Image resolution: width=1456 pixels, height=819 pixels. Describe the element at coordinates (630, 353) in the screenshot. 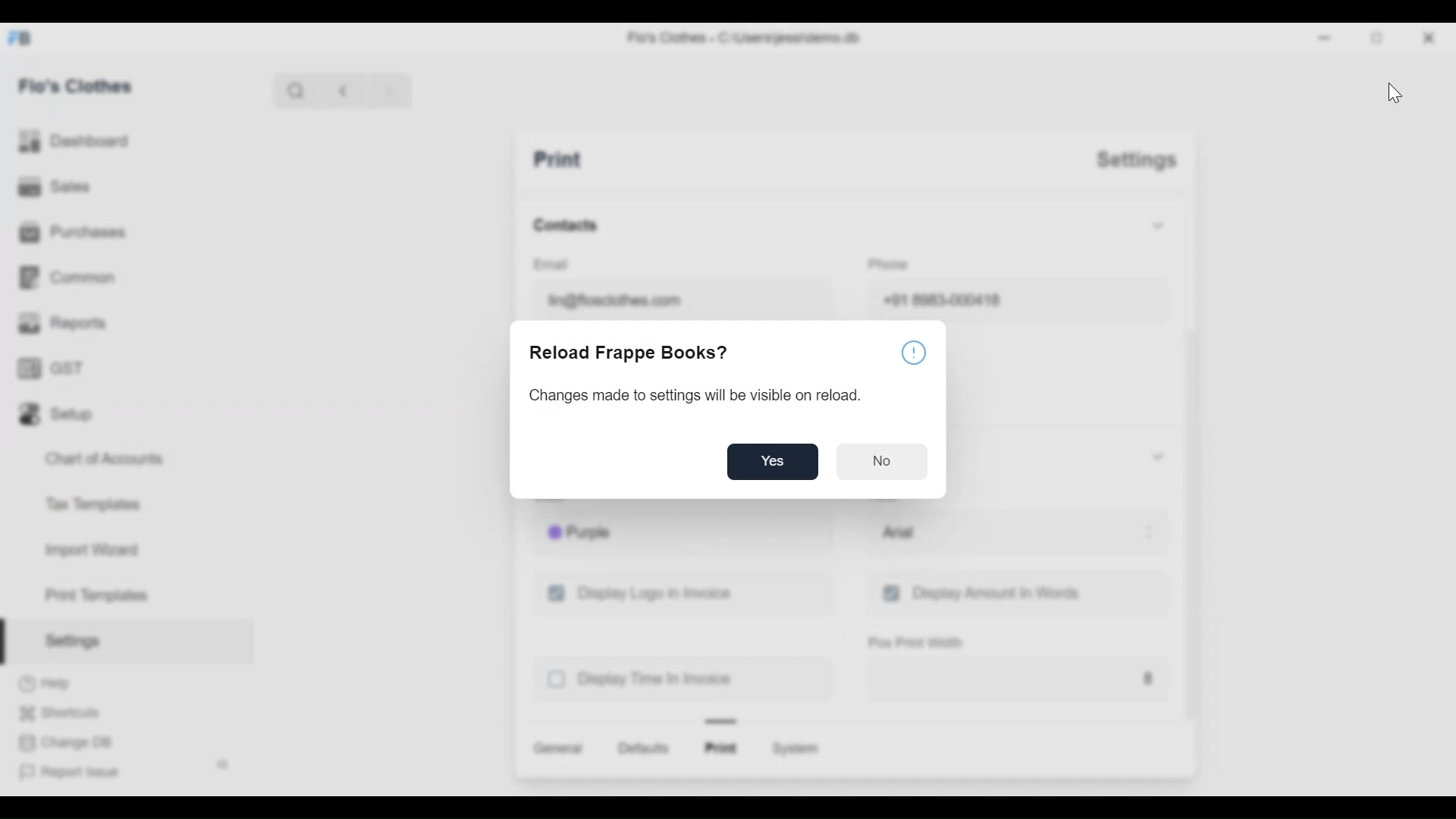

I see `Reload Frappe Books?` at that location.